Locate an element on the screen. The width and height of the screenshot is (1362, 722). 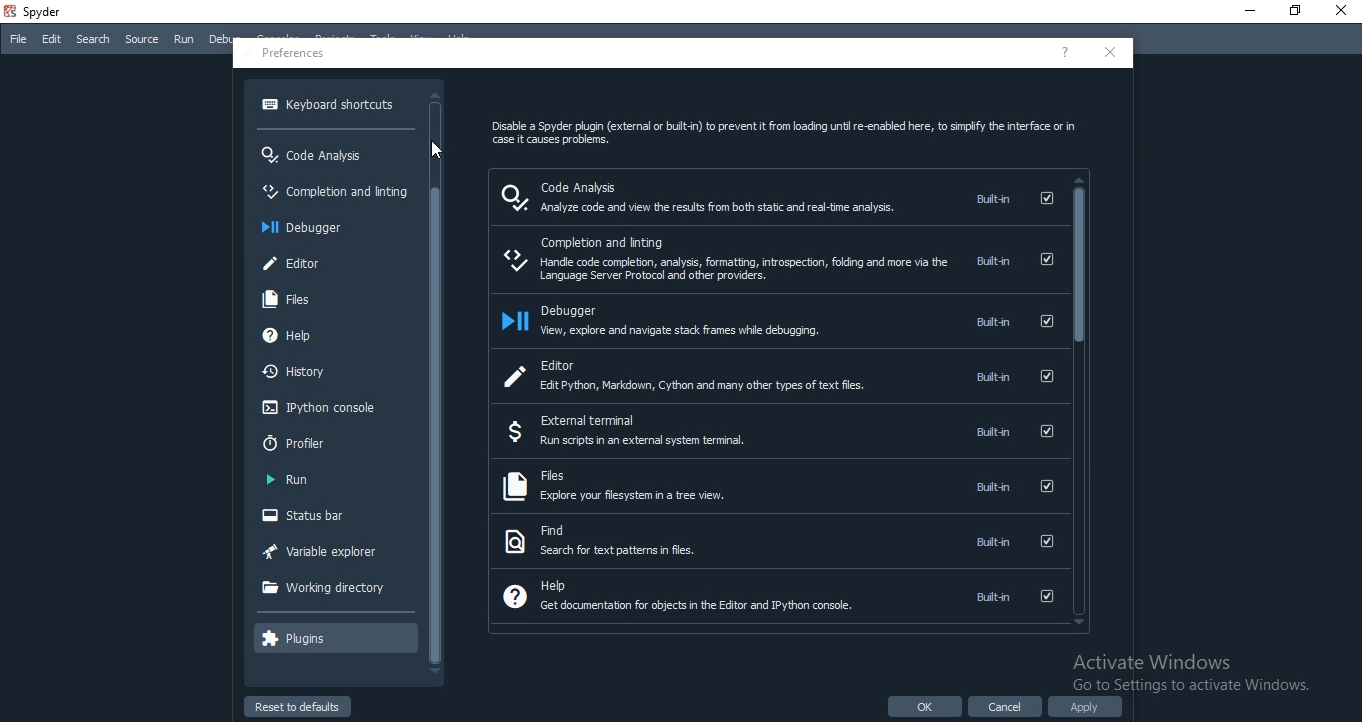
apply is located at coordinates (1087, 709).